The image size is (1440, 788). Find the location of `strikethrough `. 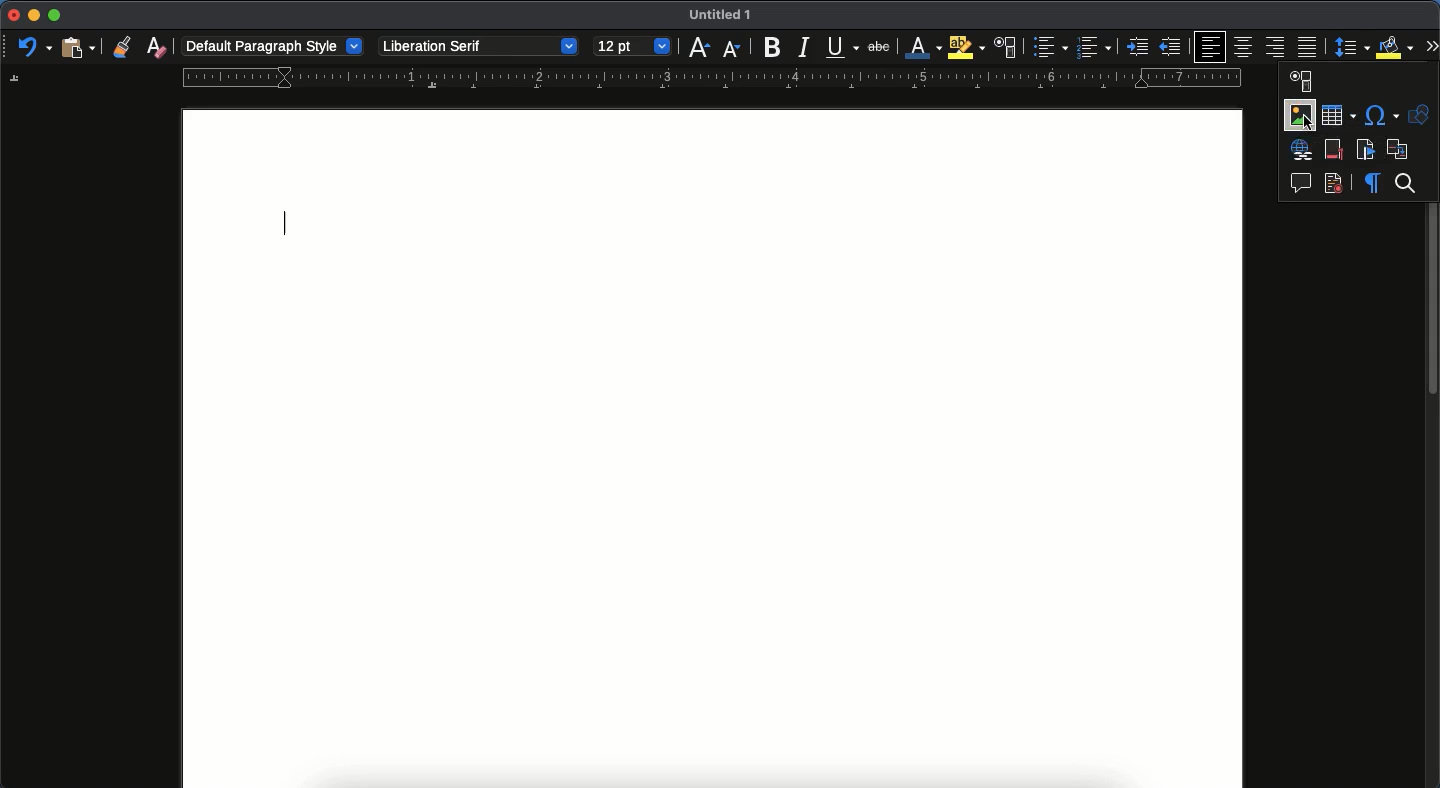

strikethrough  is located at coordinates (879, 46).